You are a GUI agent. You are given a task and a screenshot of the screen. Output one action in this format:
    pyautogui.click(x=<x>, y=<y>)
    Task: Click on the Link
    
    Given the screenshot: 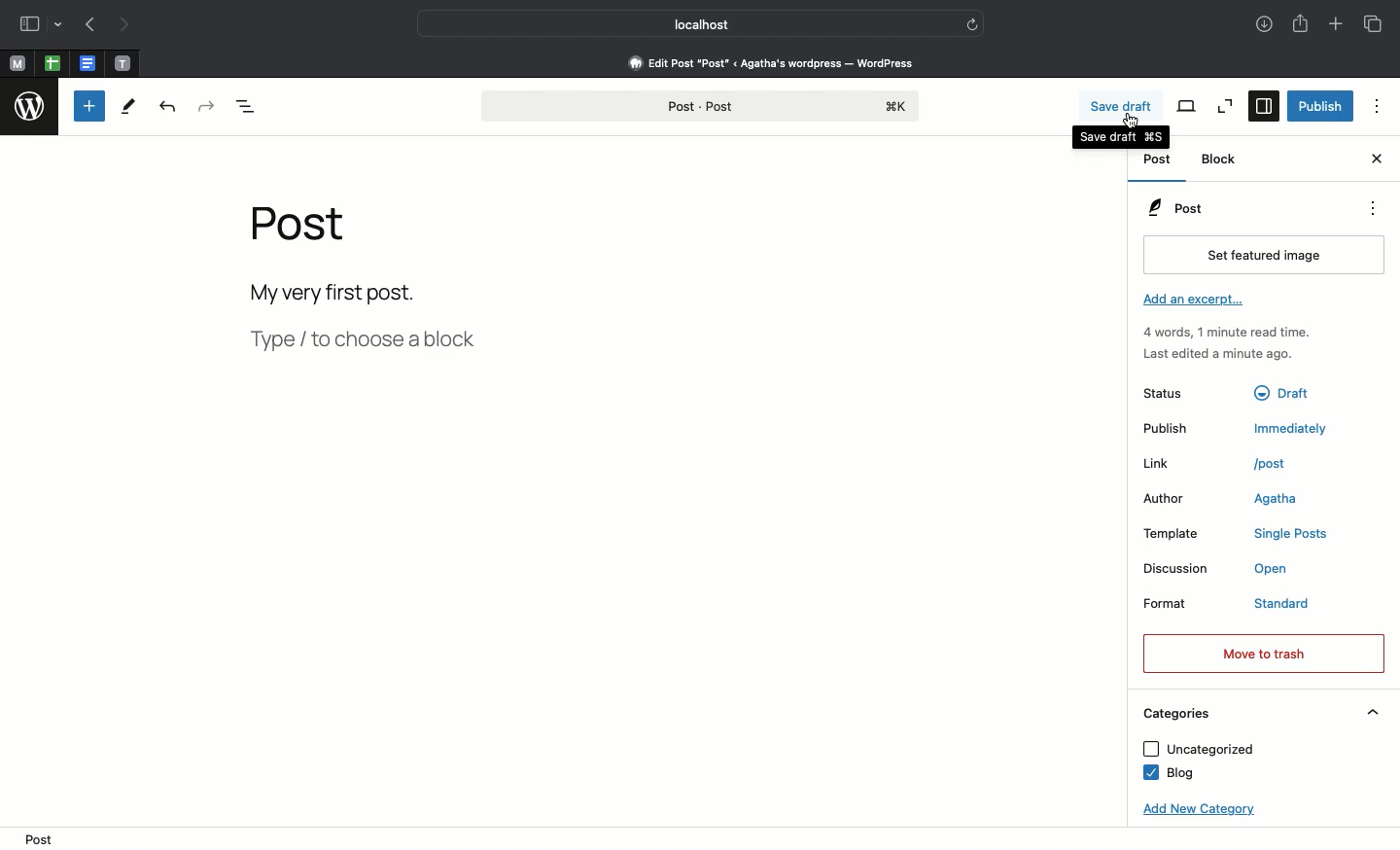 What is the action you would take?
    pyautogui.click(x=1175, y=464)
    